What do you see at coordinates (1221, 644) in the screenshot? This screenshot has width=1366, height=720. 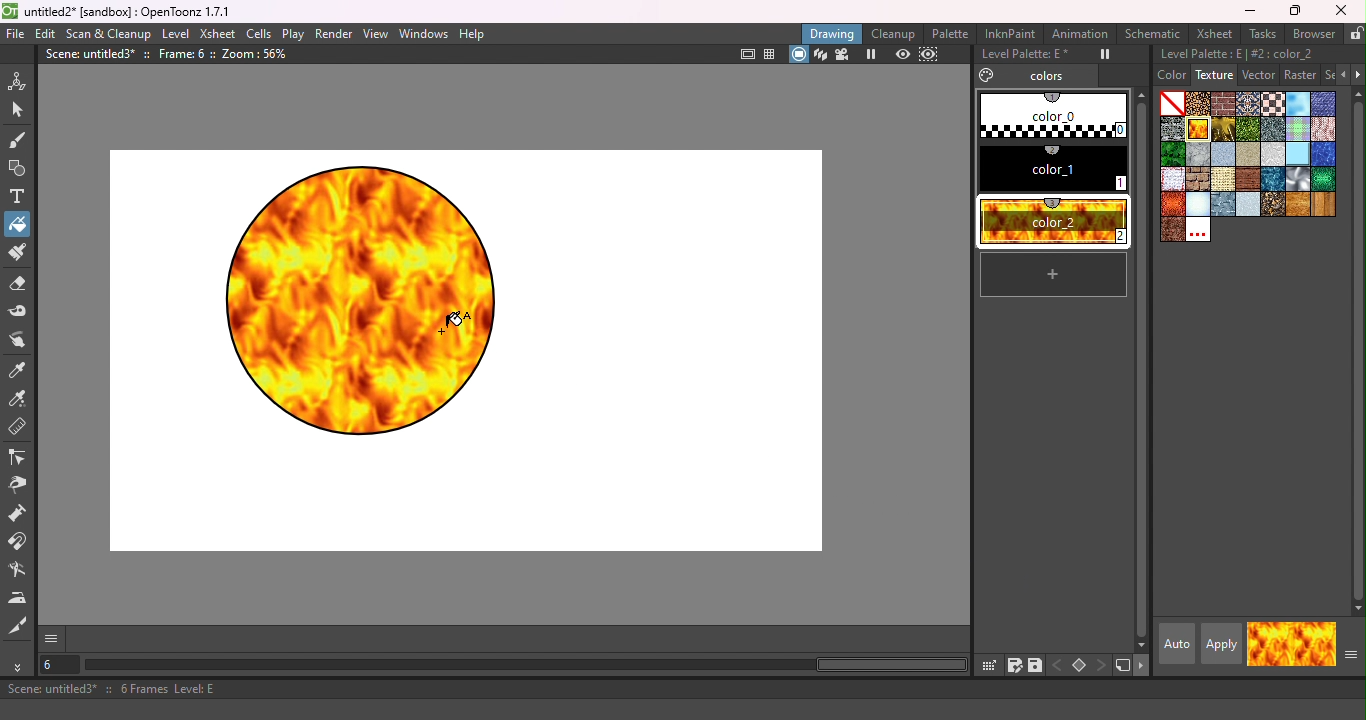 I see `apply` at bounding box center [1221, 644].